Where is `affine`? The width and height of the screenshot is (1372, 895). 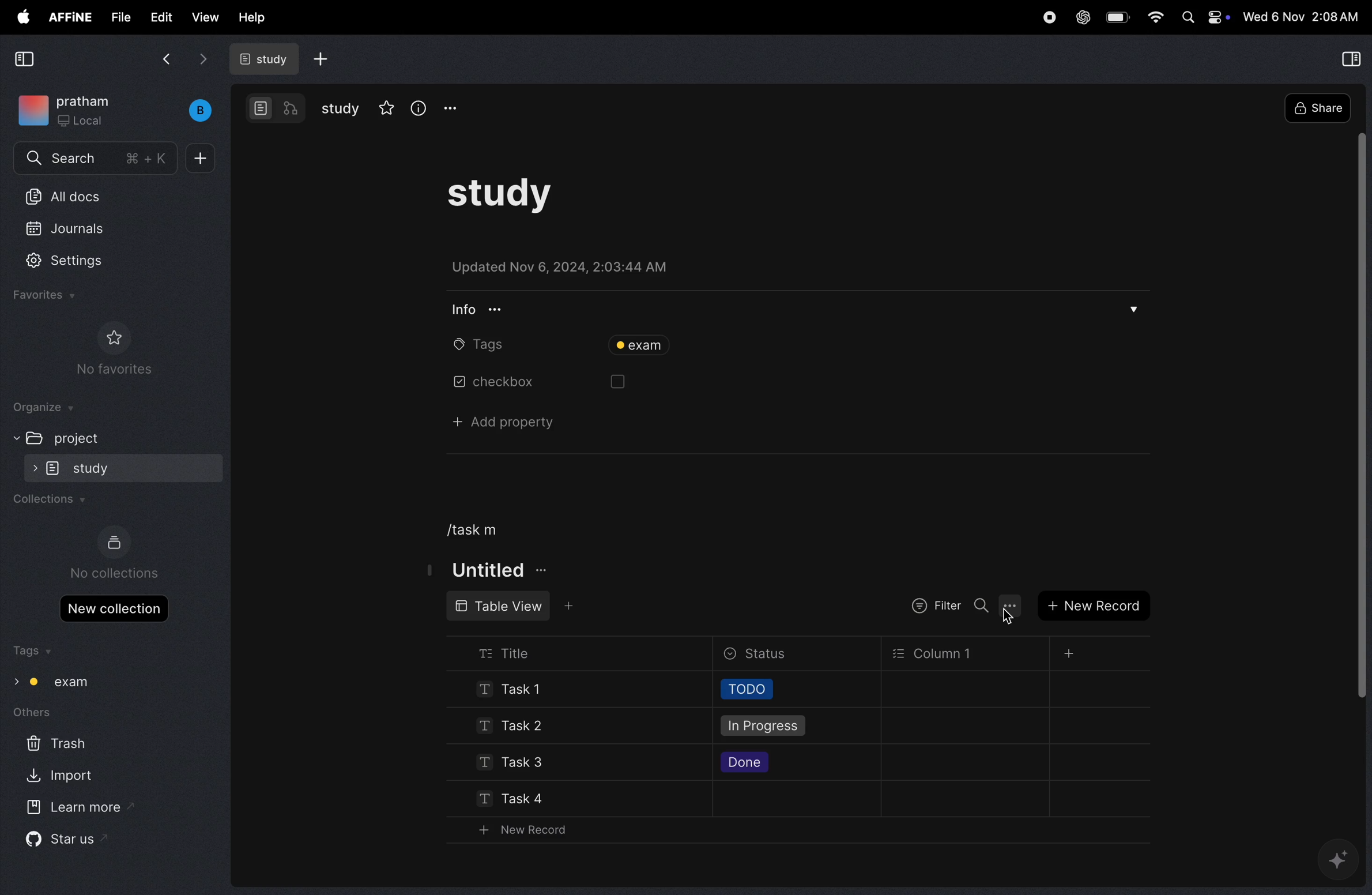 affine is located at coordinates (69, 17).